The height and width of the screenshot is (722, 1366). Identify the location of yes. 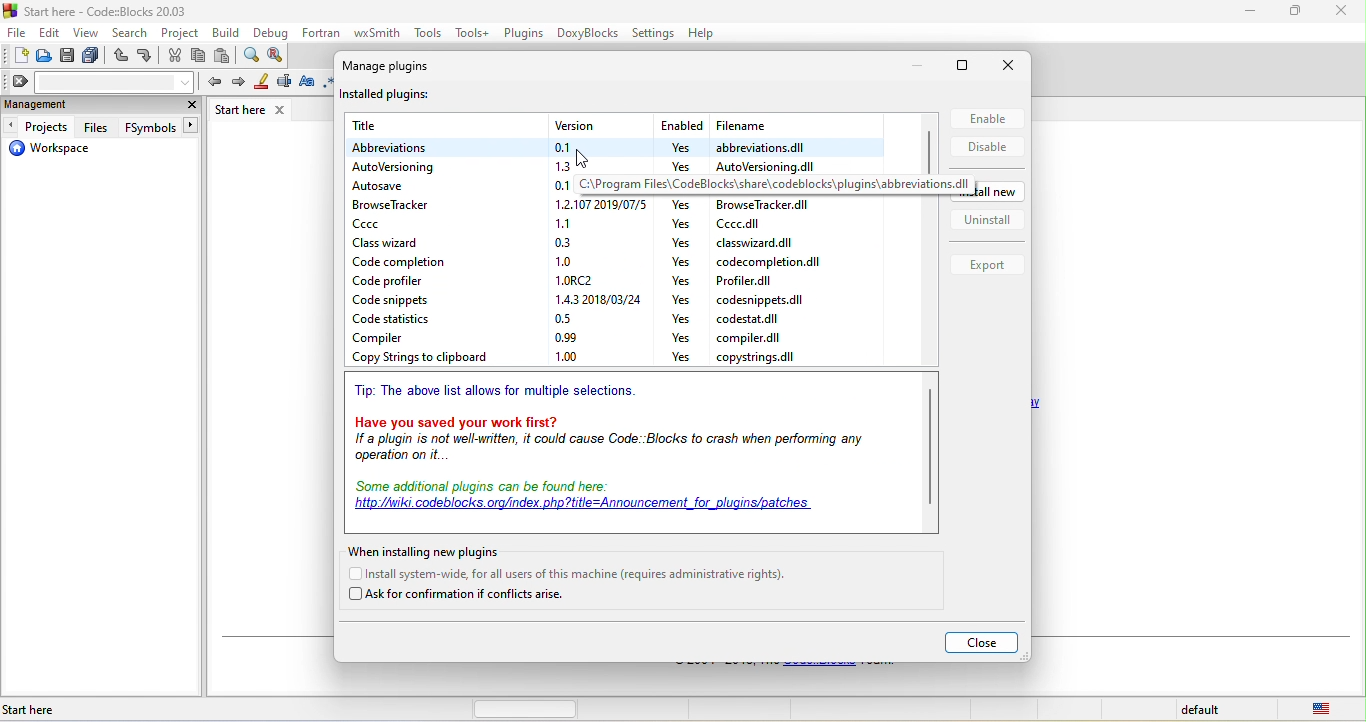
(681, 146).